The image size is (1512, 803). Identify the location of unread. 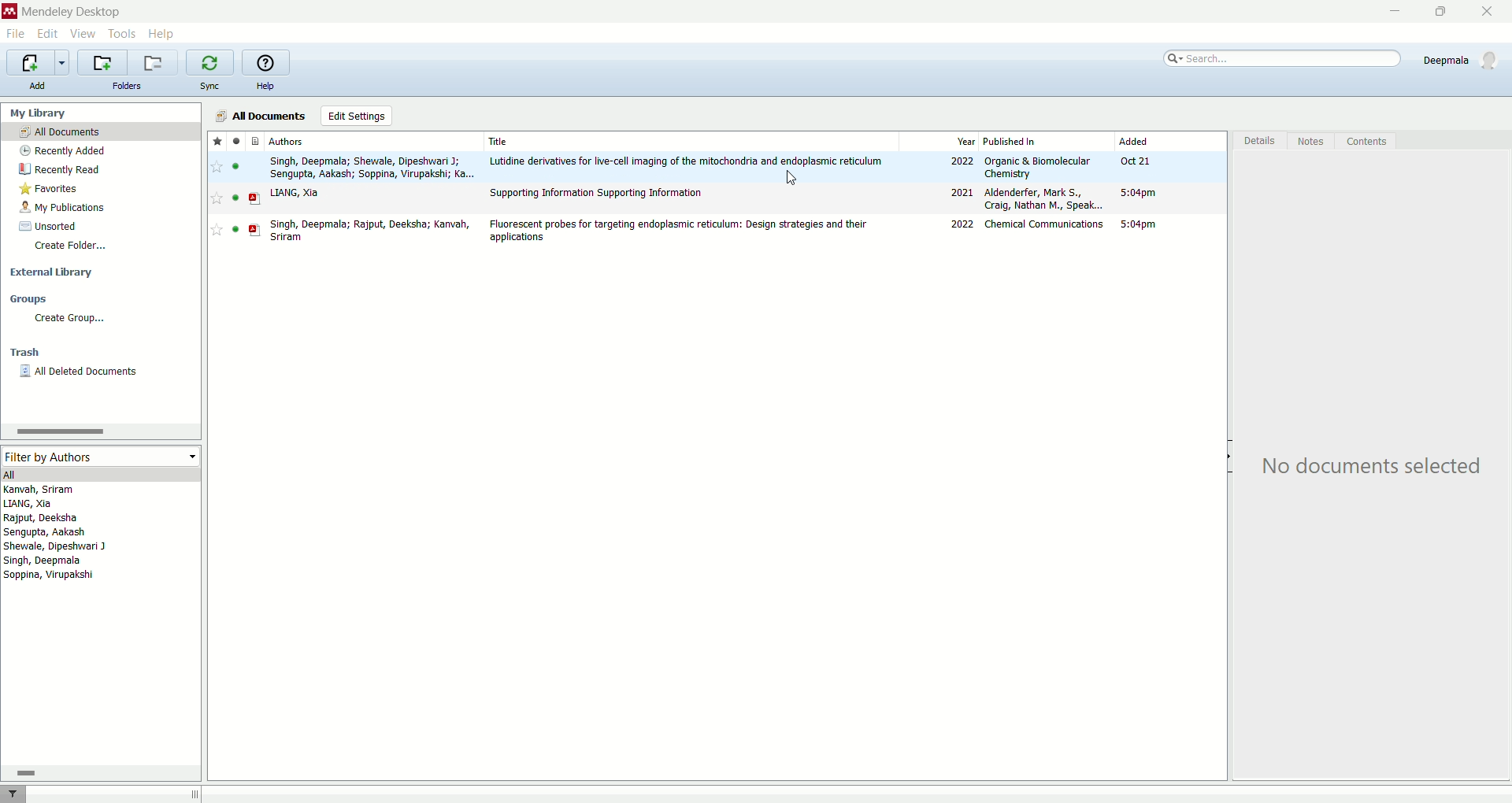
(235, 229).